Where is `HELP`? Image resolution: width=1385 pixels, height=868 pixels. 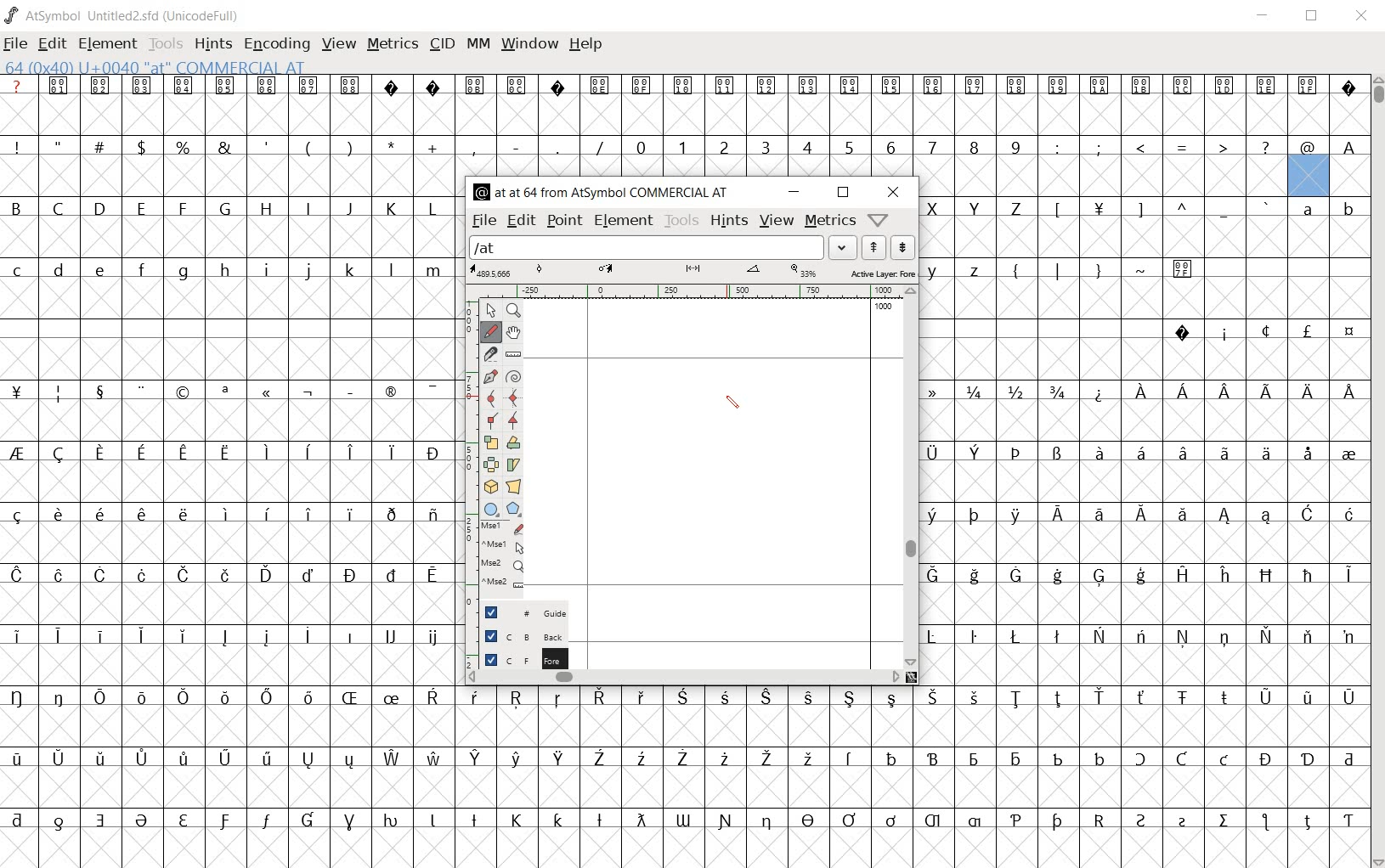
HELP is located at coordinates (586, 45).